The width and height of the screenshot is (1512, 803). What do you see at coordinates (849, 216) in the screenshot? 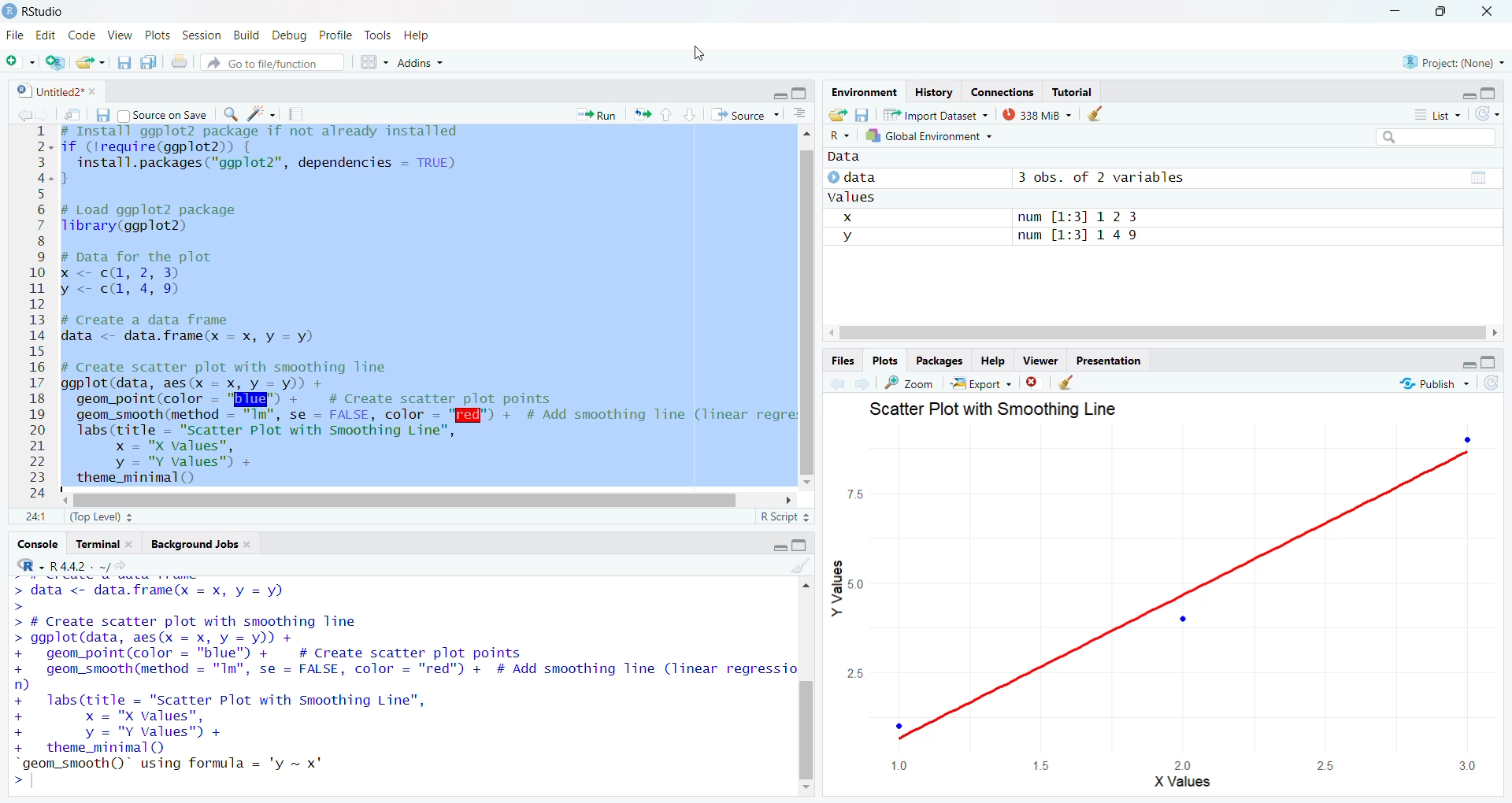
I see `x` at bounding box center [849, 216].